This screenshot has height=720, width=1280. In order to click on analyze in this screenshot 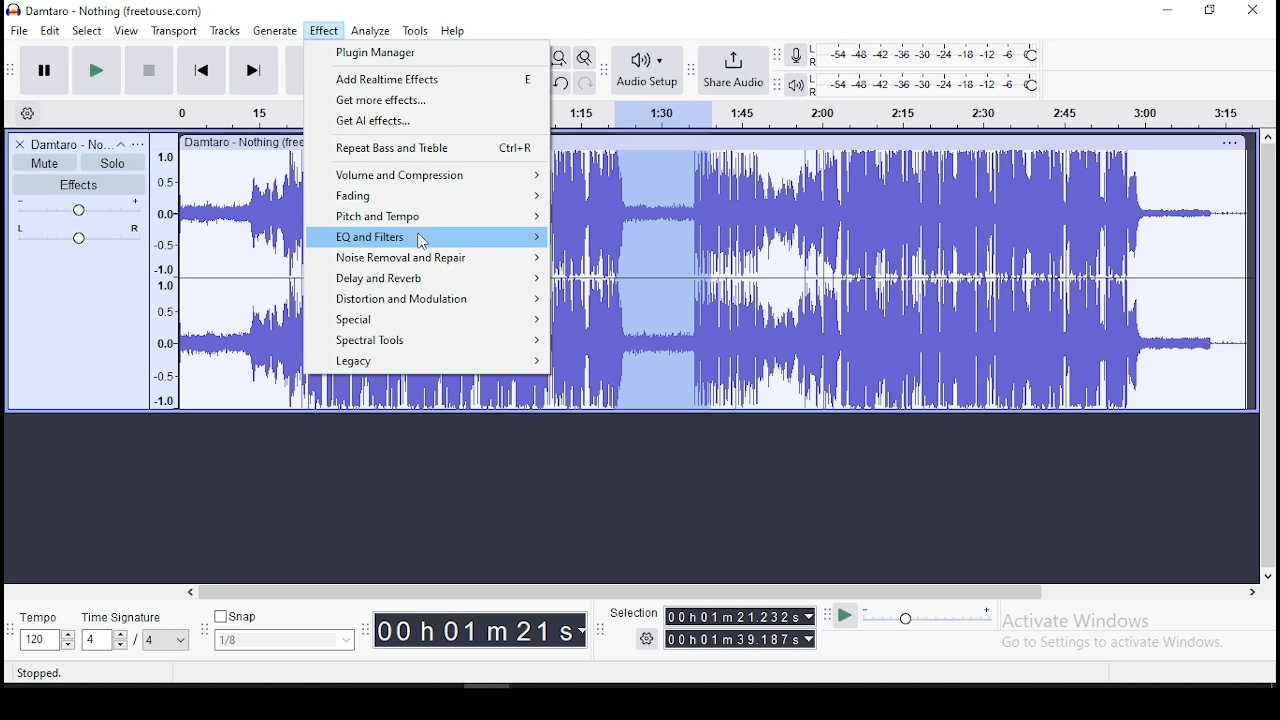, I will do `click(371, 31)`.